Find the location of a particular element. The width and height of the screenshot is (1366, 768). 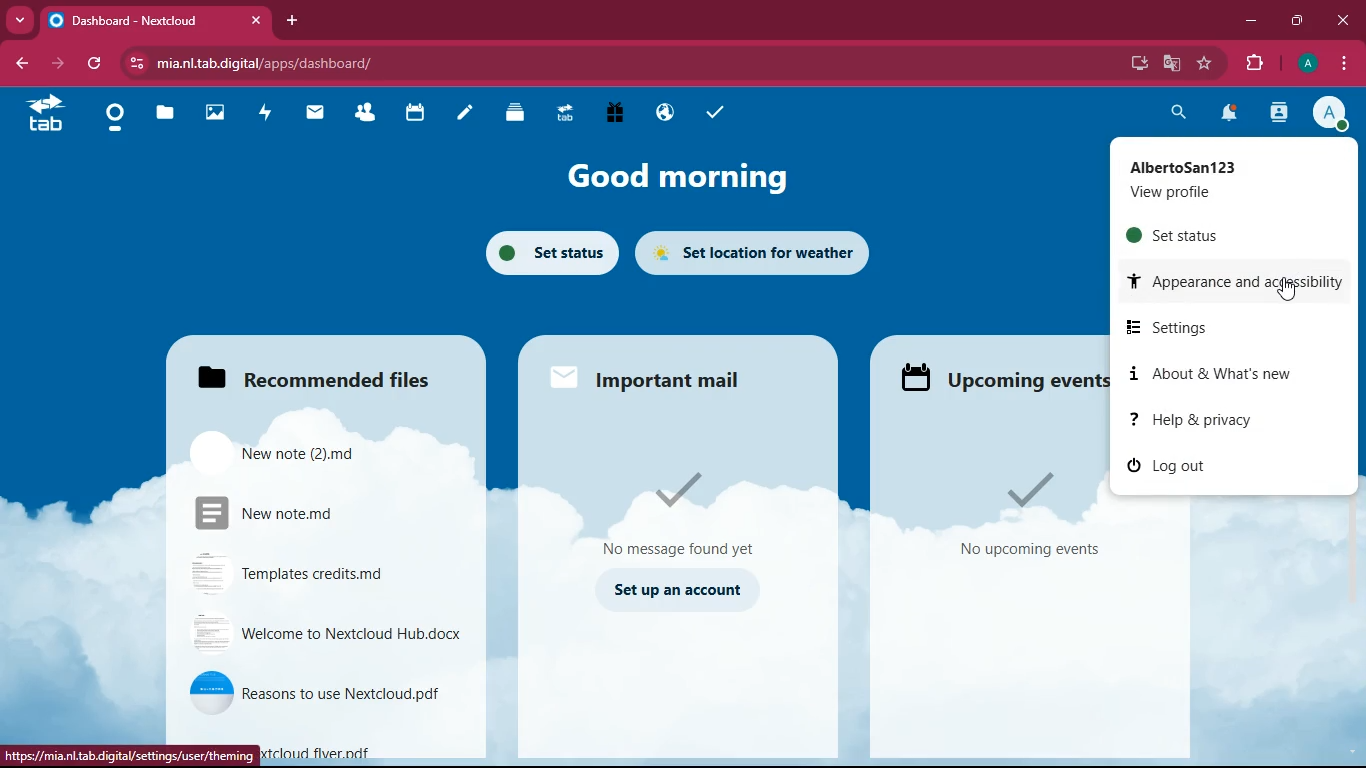

notifications is located at coordinates (1230, 114).